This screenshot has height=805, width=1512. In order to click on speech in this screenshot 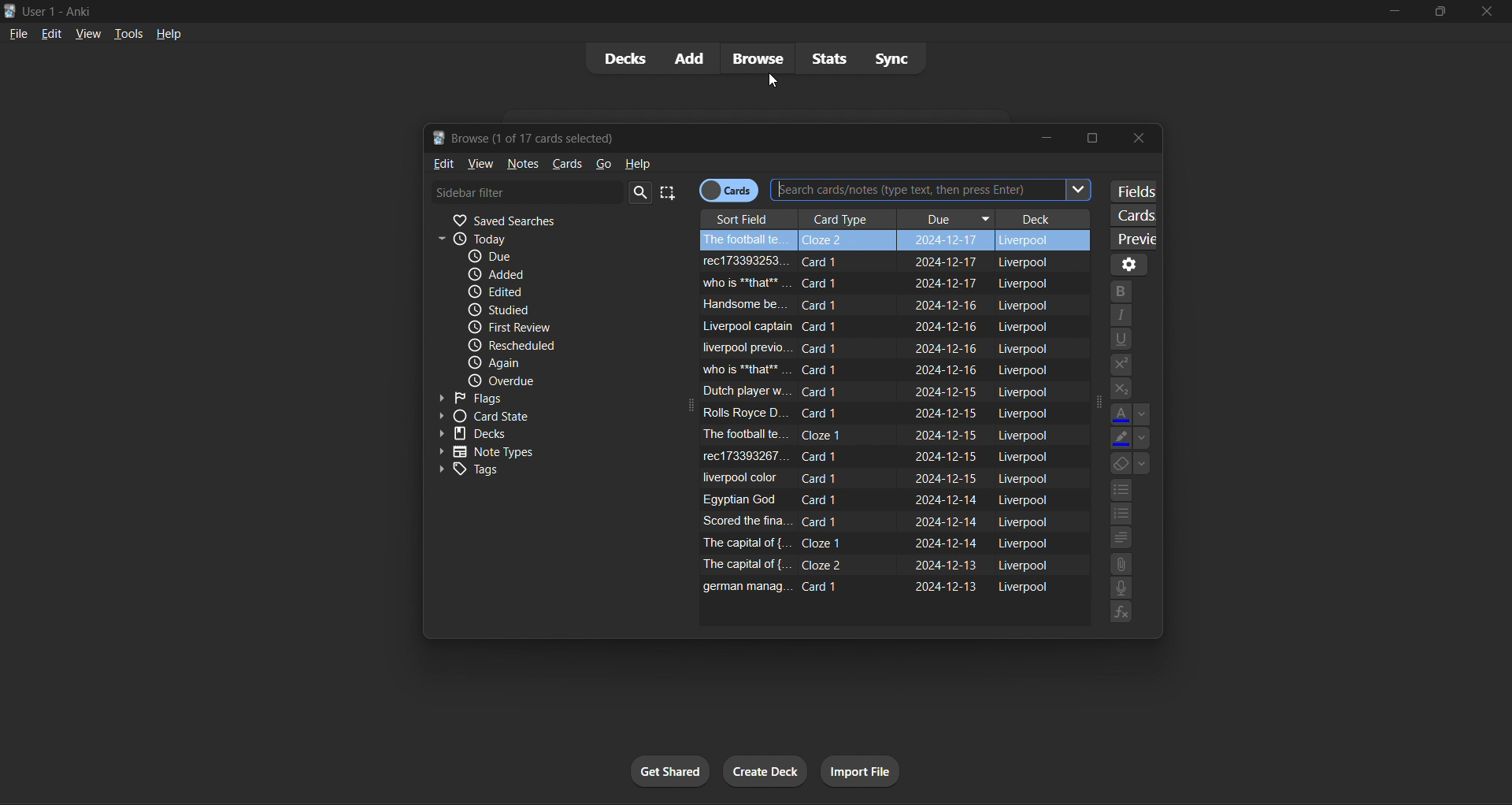, I will do `click(1125, 588)`.